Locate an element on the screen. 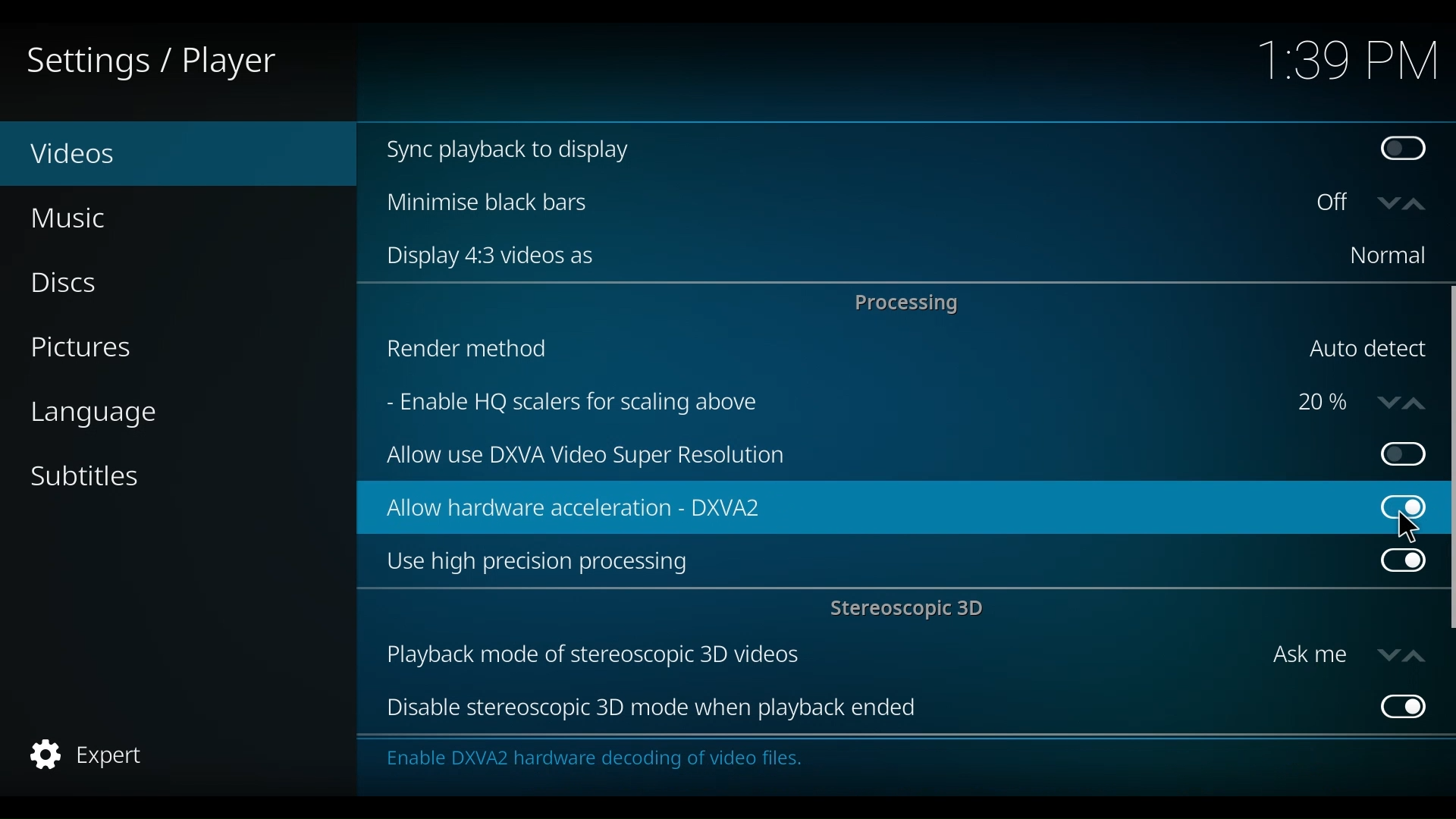 This screenshot has width=1456, height=819. Toggle on/off Use high precision processing is located at coordinates (1402, 563).